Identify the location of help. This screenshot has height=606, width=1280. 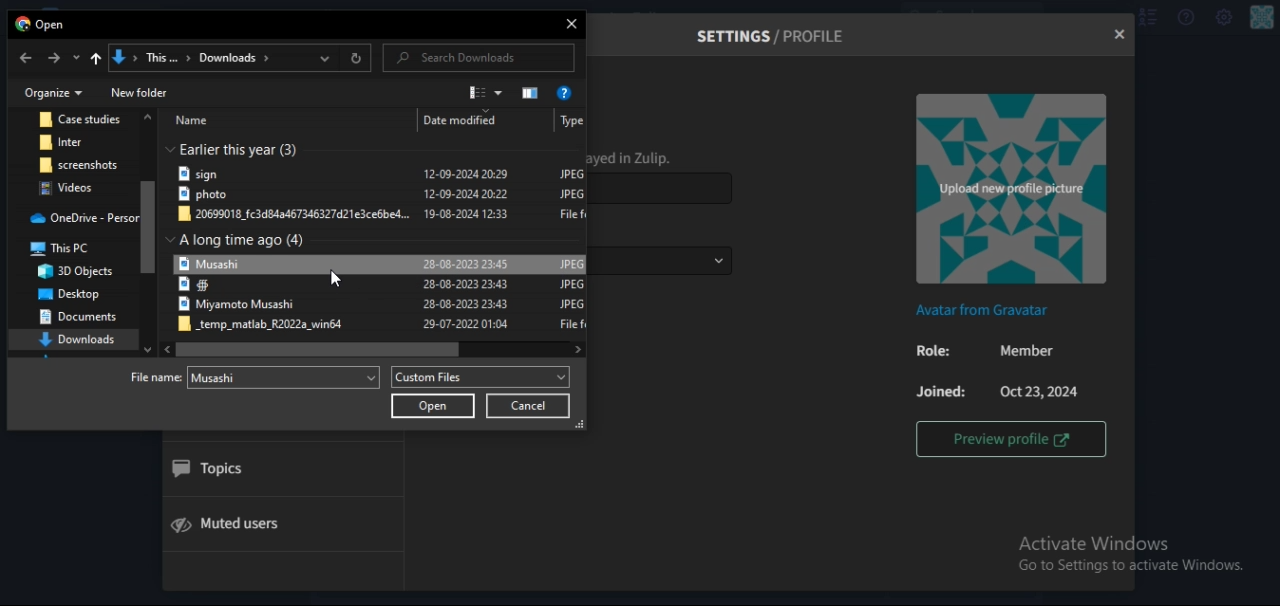
(566, 93).